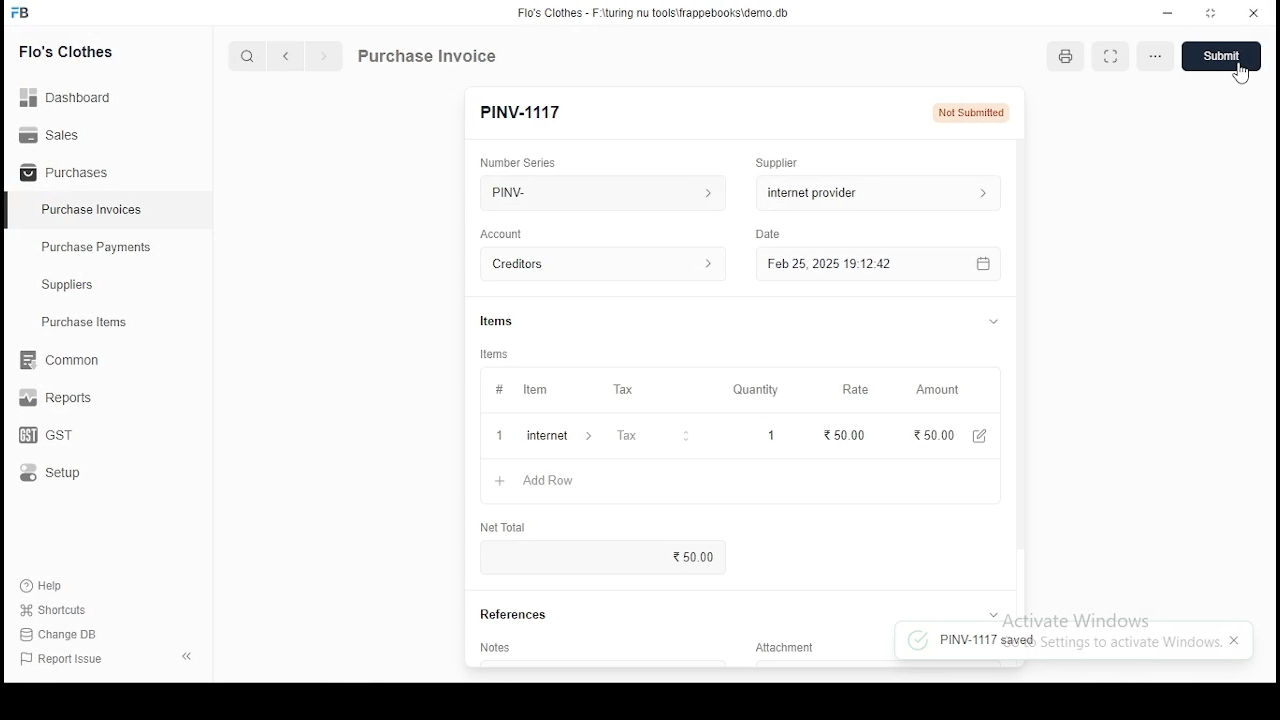  Describe the element at coordinates (499, 437) in the screenshot. I see `+` at that location.